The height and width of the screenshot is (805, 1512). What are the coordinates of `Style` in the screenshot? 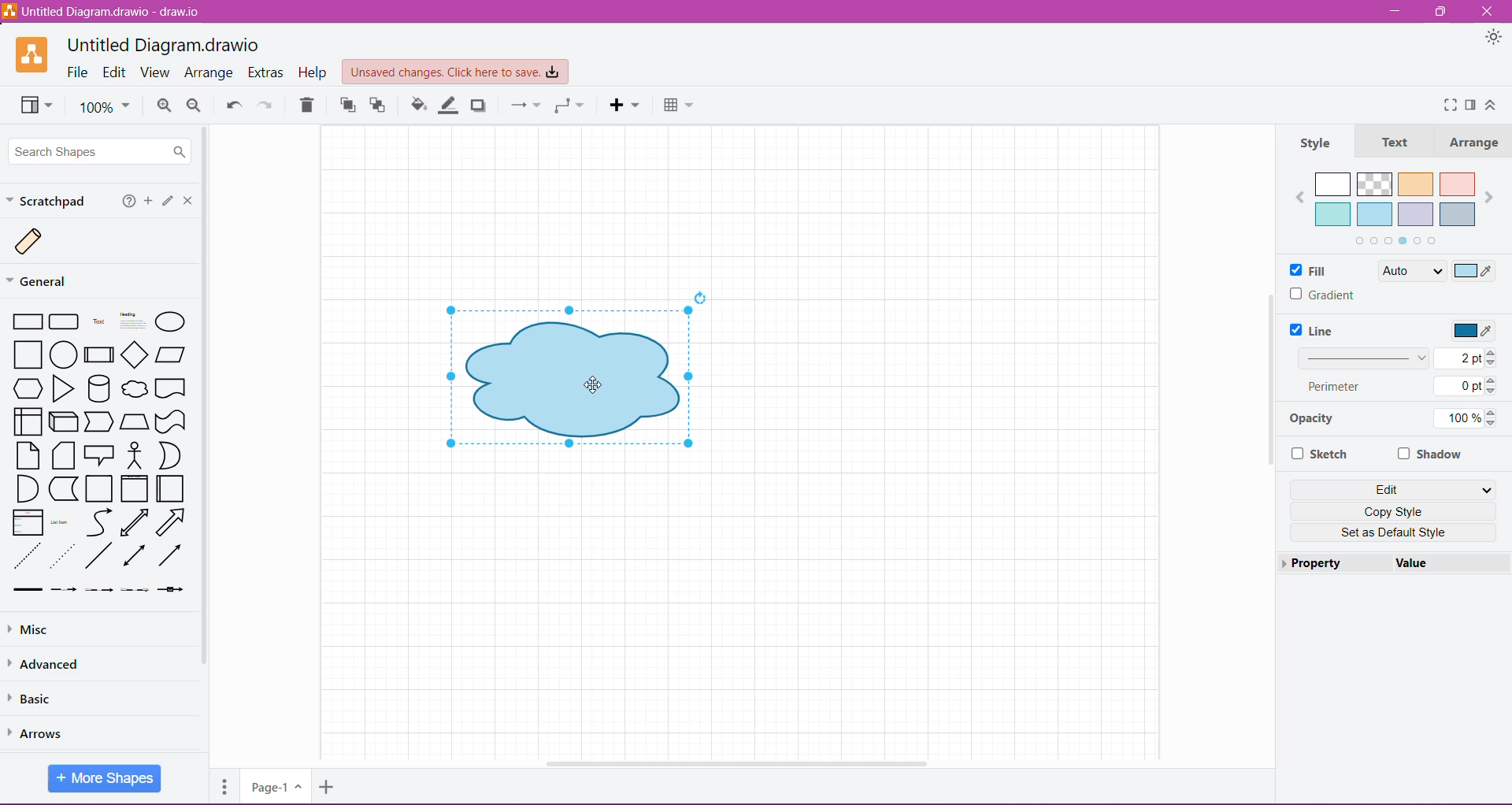 It's located at (1317, 144).